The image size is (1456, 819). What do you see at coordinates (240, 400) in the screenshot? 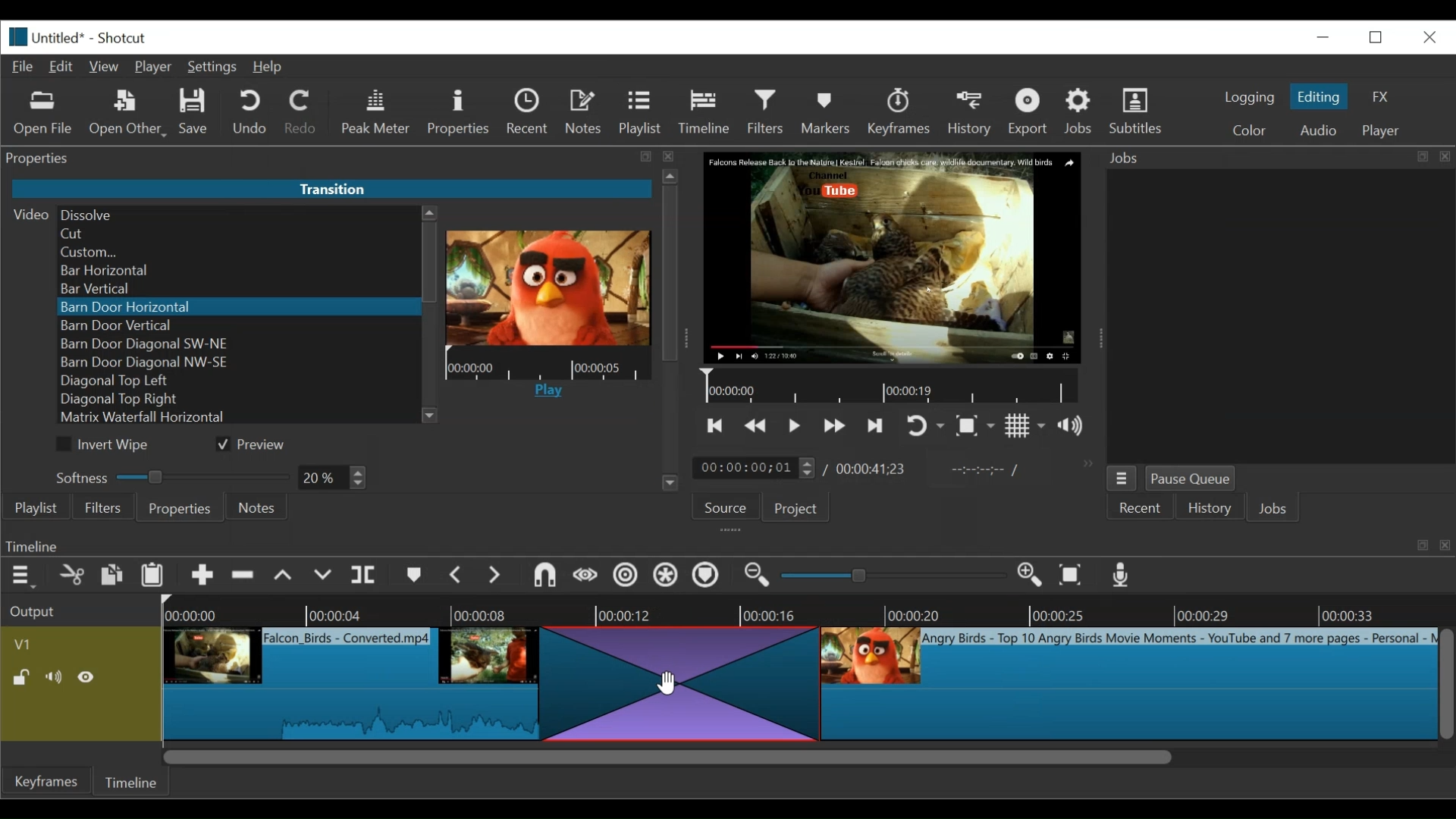
I see `Diagonal Top Right` at bounding box center [240, 400].